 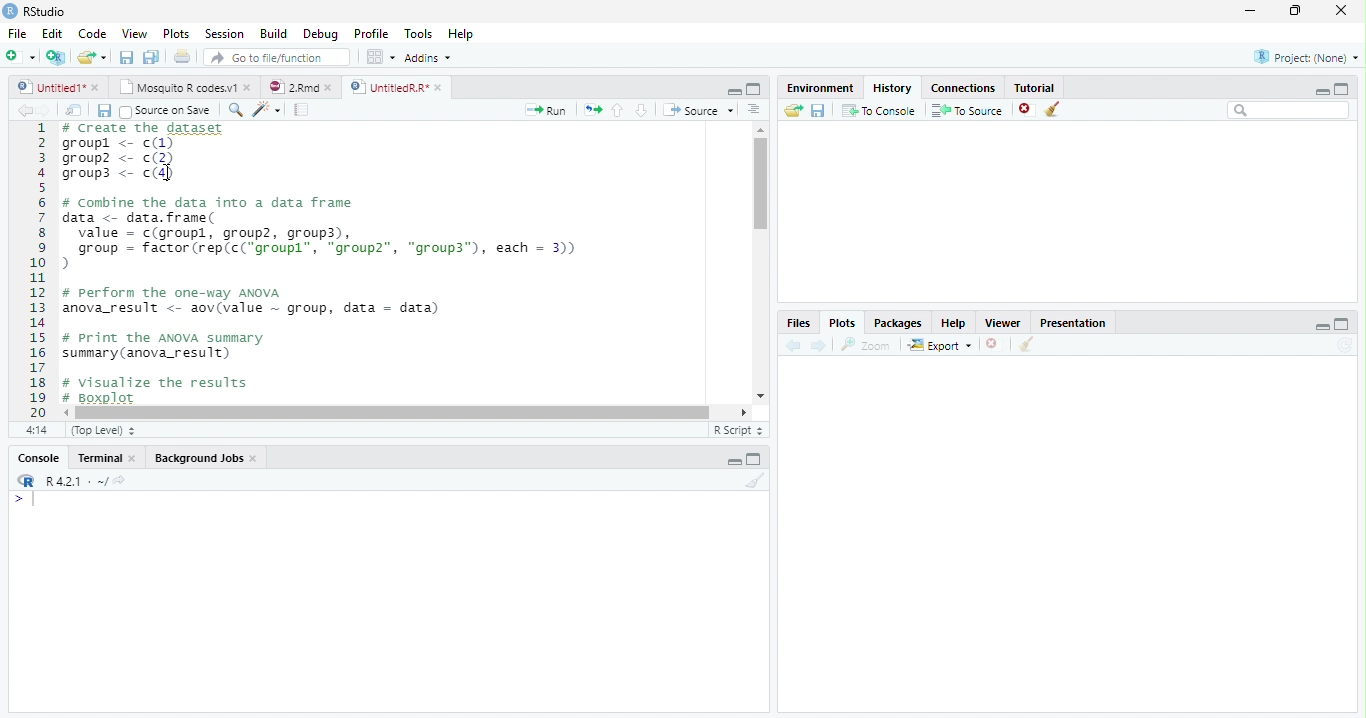 I want to click on Save All open documents, so click(x=150, y=57).